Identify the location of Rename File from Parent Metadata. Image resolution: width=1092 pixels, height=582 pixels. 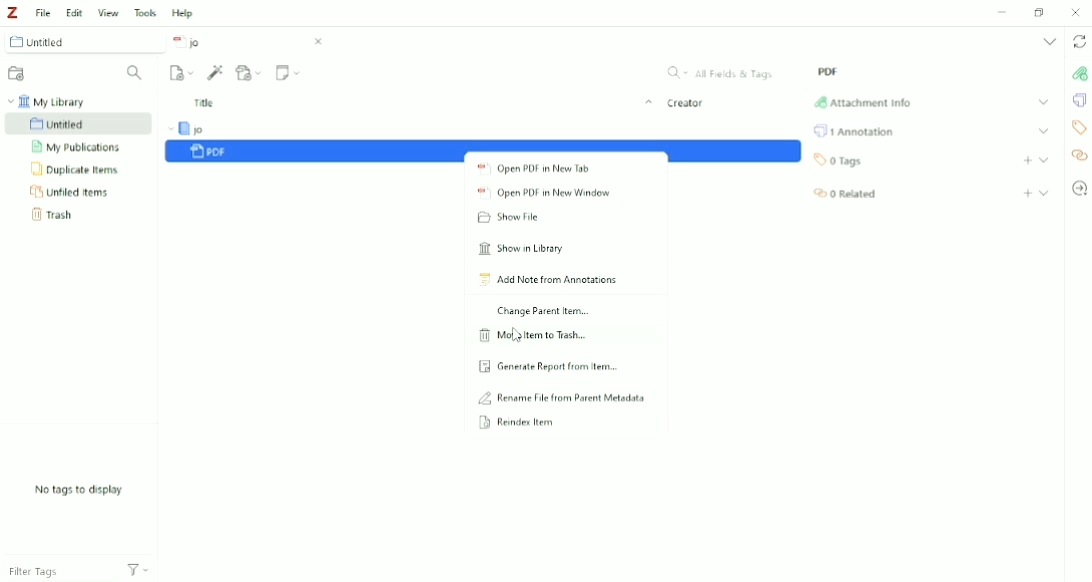
(564, 399).